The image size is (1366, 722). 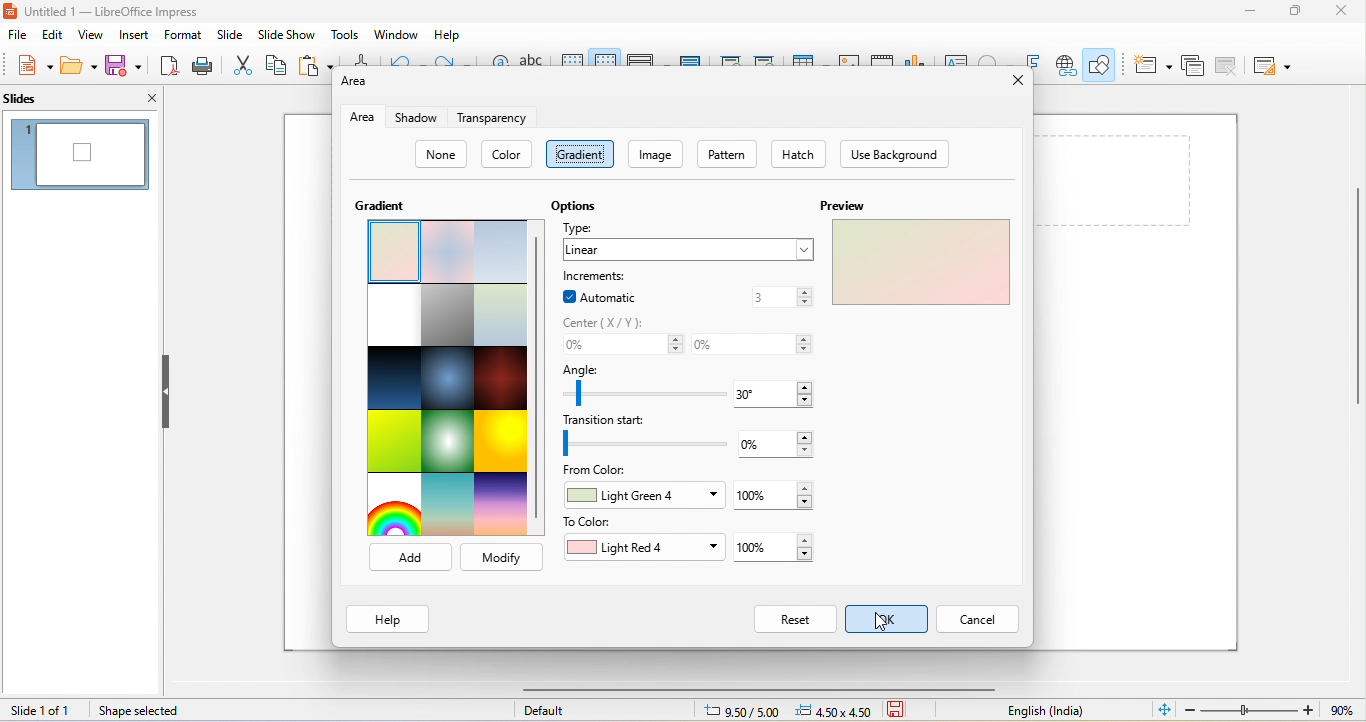 What do you see at coordinates (577, 207) in the screenshot?
I see `options` at bounding box center [577, 207].